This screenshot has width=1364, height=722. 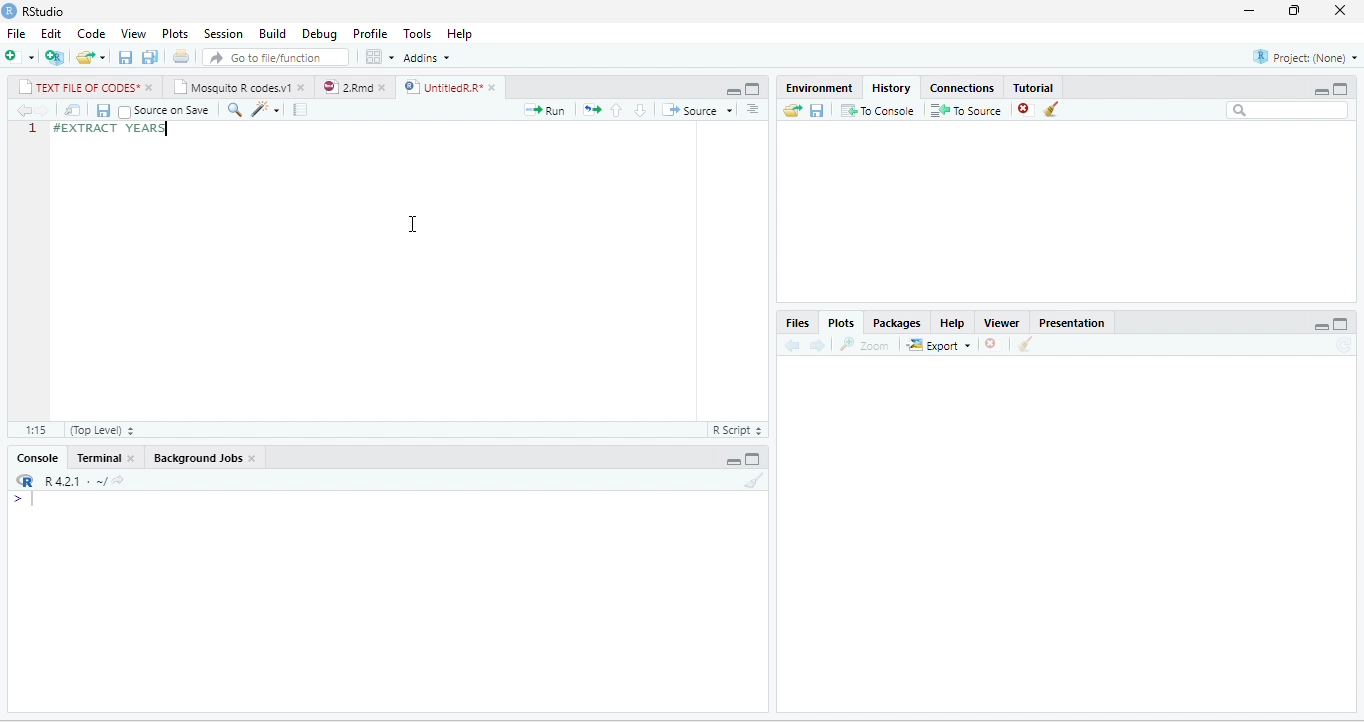 What do you see at coordinates (1340, 89) in the screenshot?
I see `Maximize` at bounding box center [1340, 89].